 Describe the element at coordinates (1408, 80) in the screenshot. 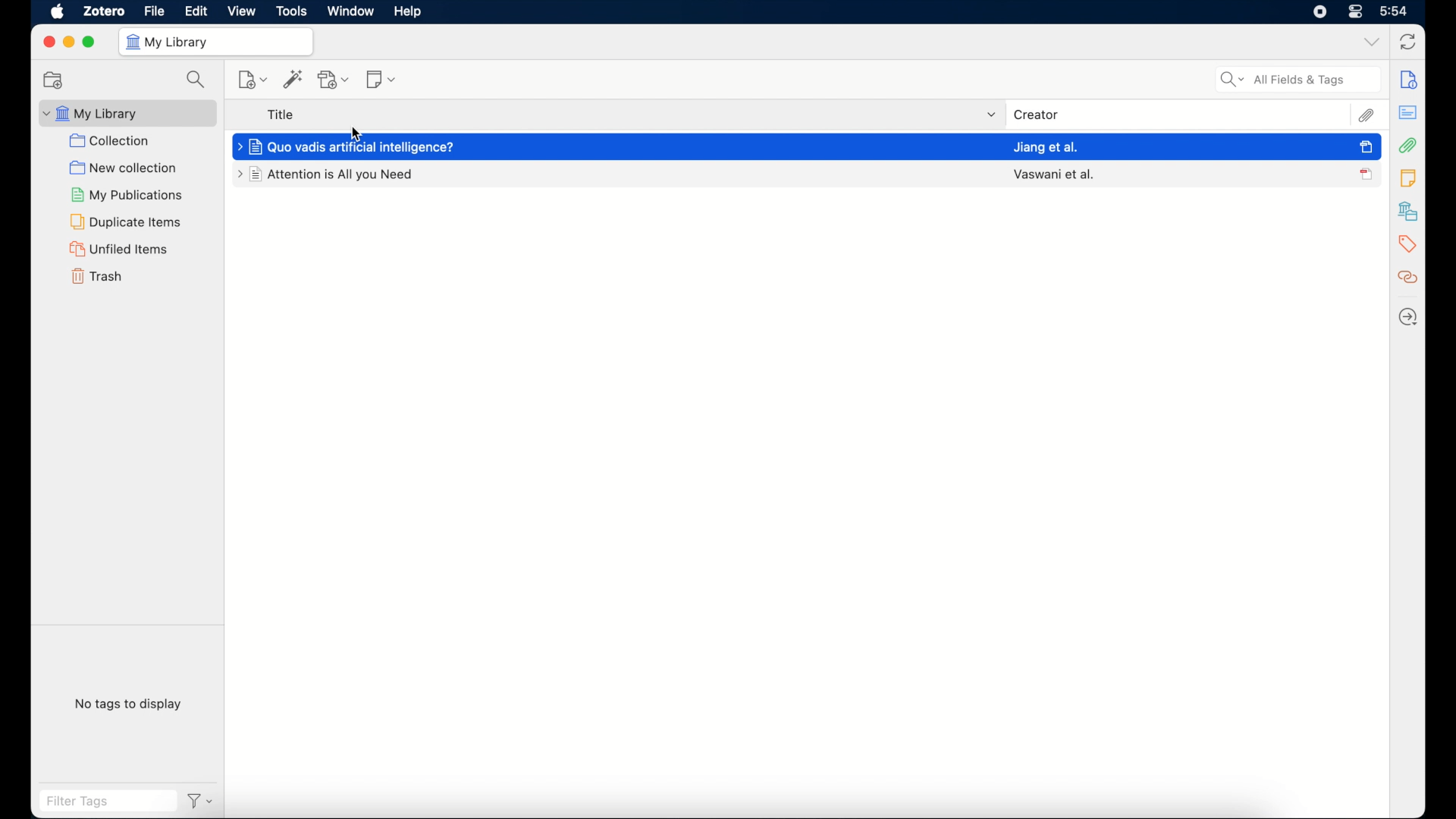

I see `info` at that location.